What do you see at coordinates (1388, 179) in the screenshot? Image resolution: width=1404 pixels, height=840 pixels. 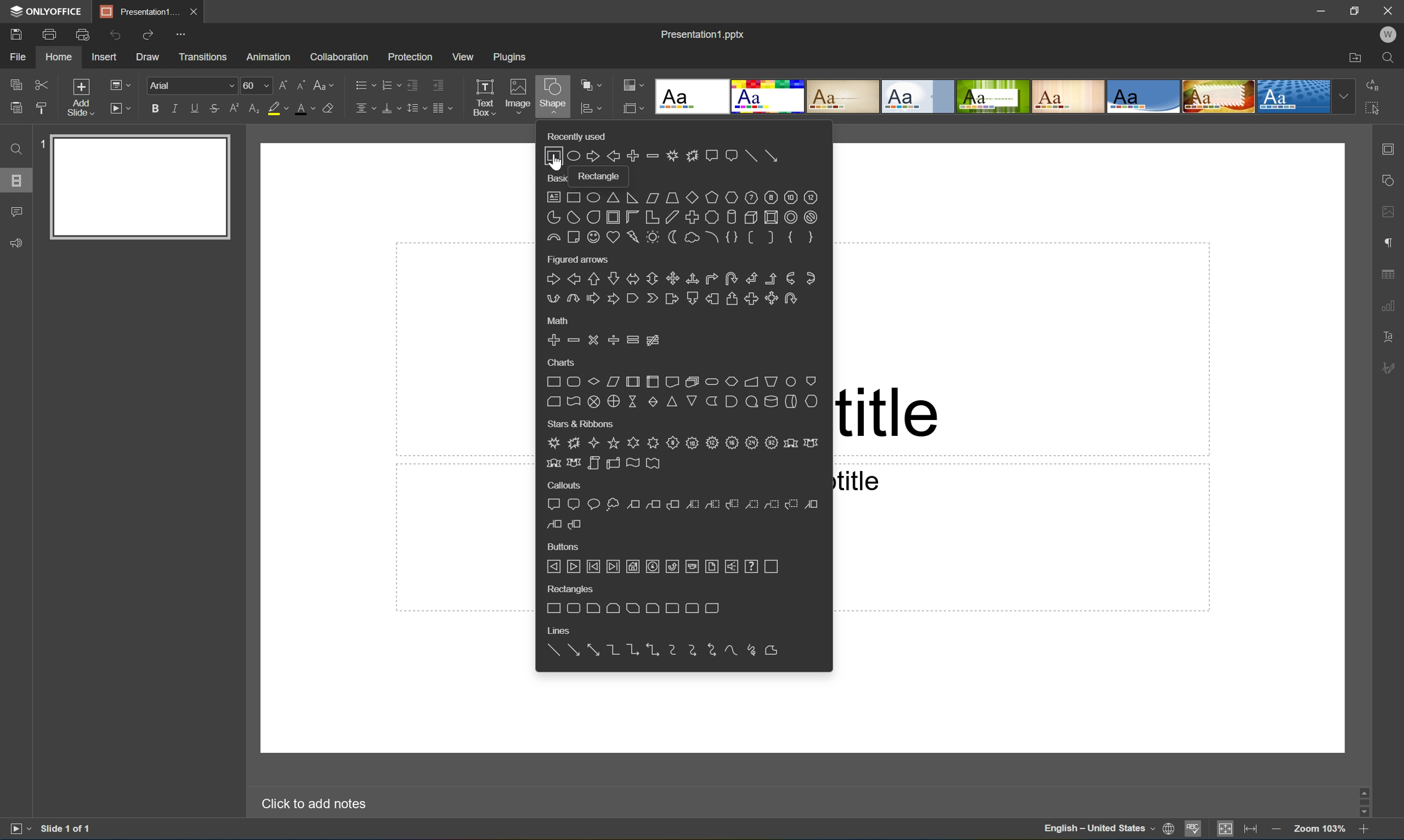 I see `shape settings` at bounding box center [1388, 179].